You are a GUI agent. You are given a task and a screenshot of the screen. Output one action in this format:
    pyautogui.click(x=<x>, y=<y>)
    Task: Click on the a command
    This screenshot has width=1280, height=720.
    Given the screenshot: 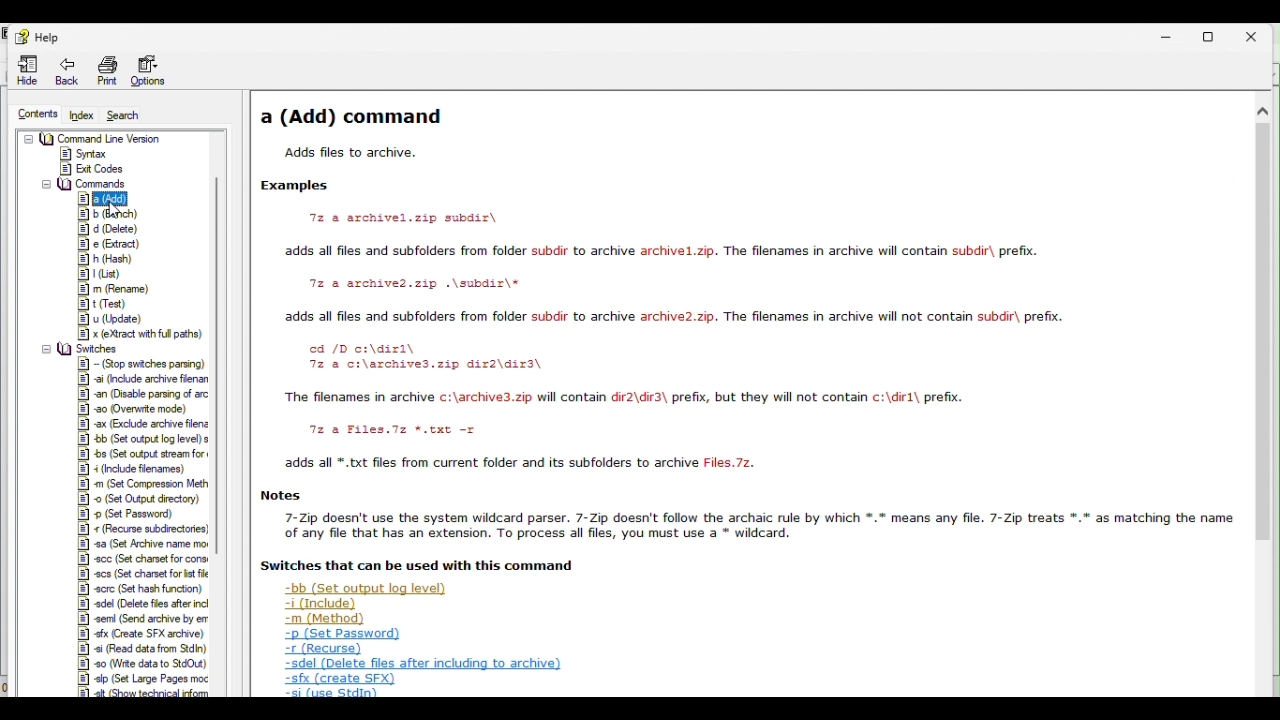 What is the action you would take?
    pyautogui.click(x=352, y=117)
    